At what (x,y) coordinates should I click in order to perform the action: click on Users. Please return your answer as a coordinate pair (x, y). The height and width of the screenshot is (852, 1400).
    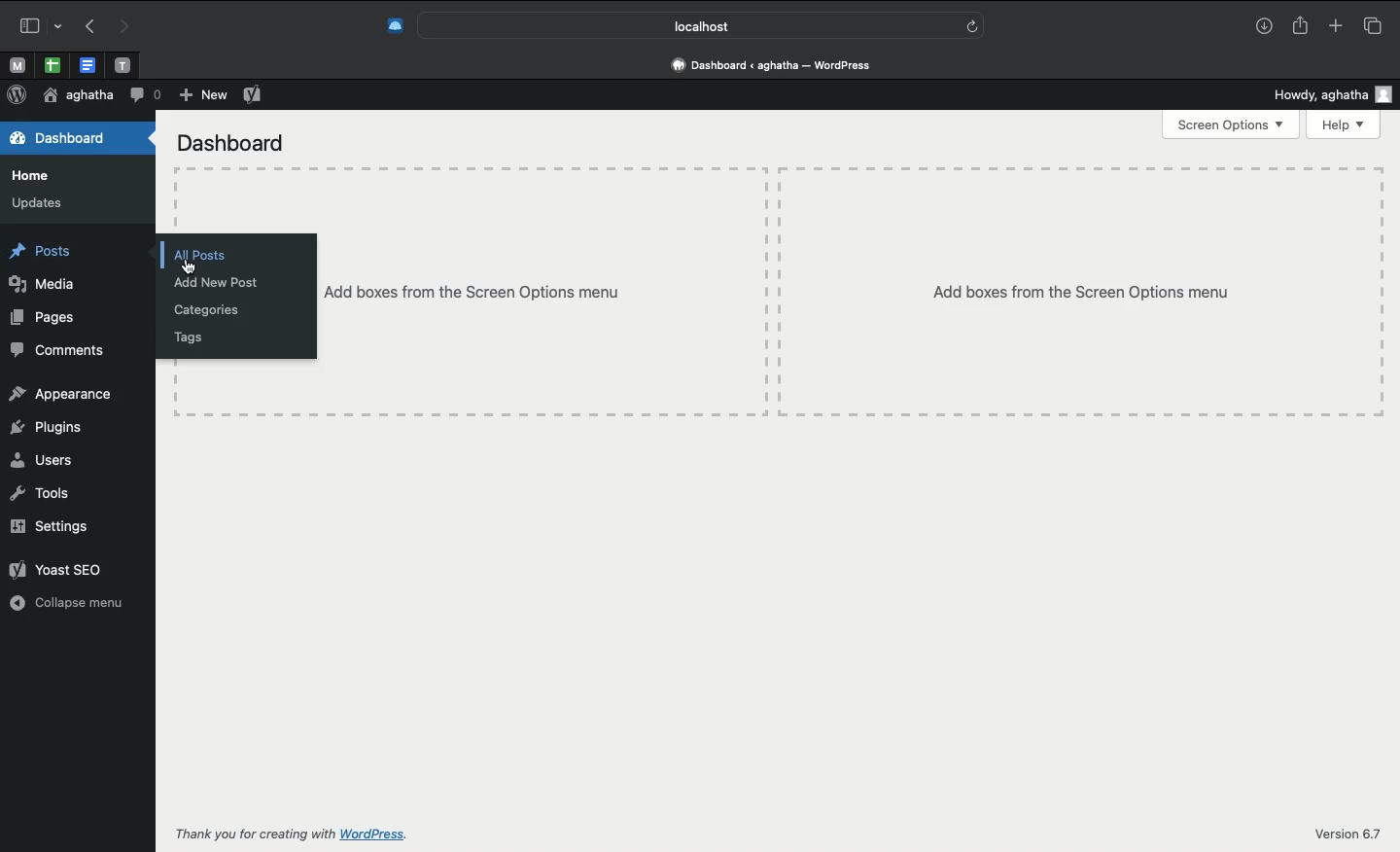
    Looking at the image, I should click on (42, 461).